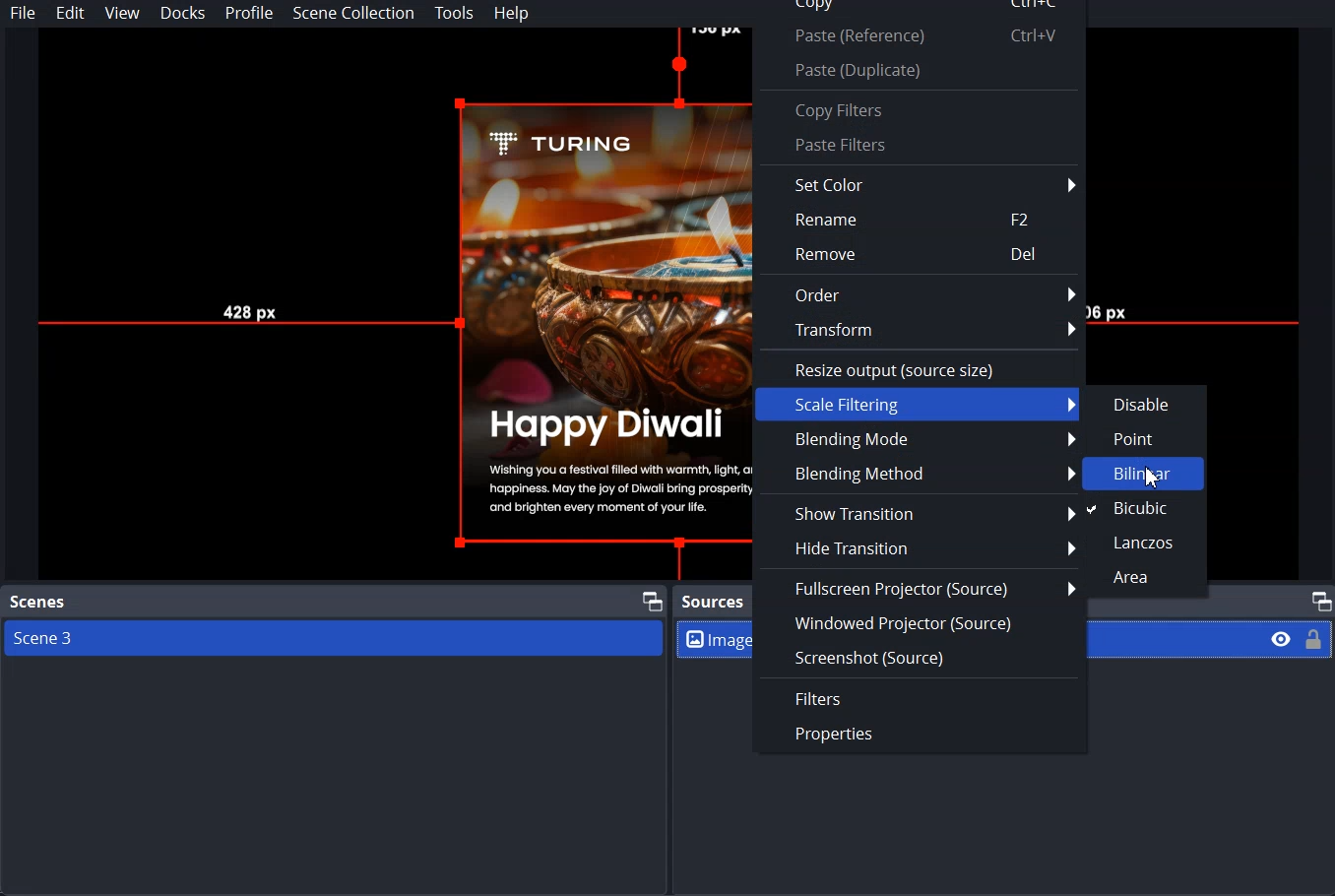 Image resolution: width=1335 pixels, height=896 pixels. I want to click on Blending method, so click(916, 472).